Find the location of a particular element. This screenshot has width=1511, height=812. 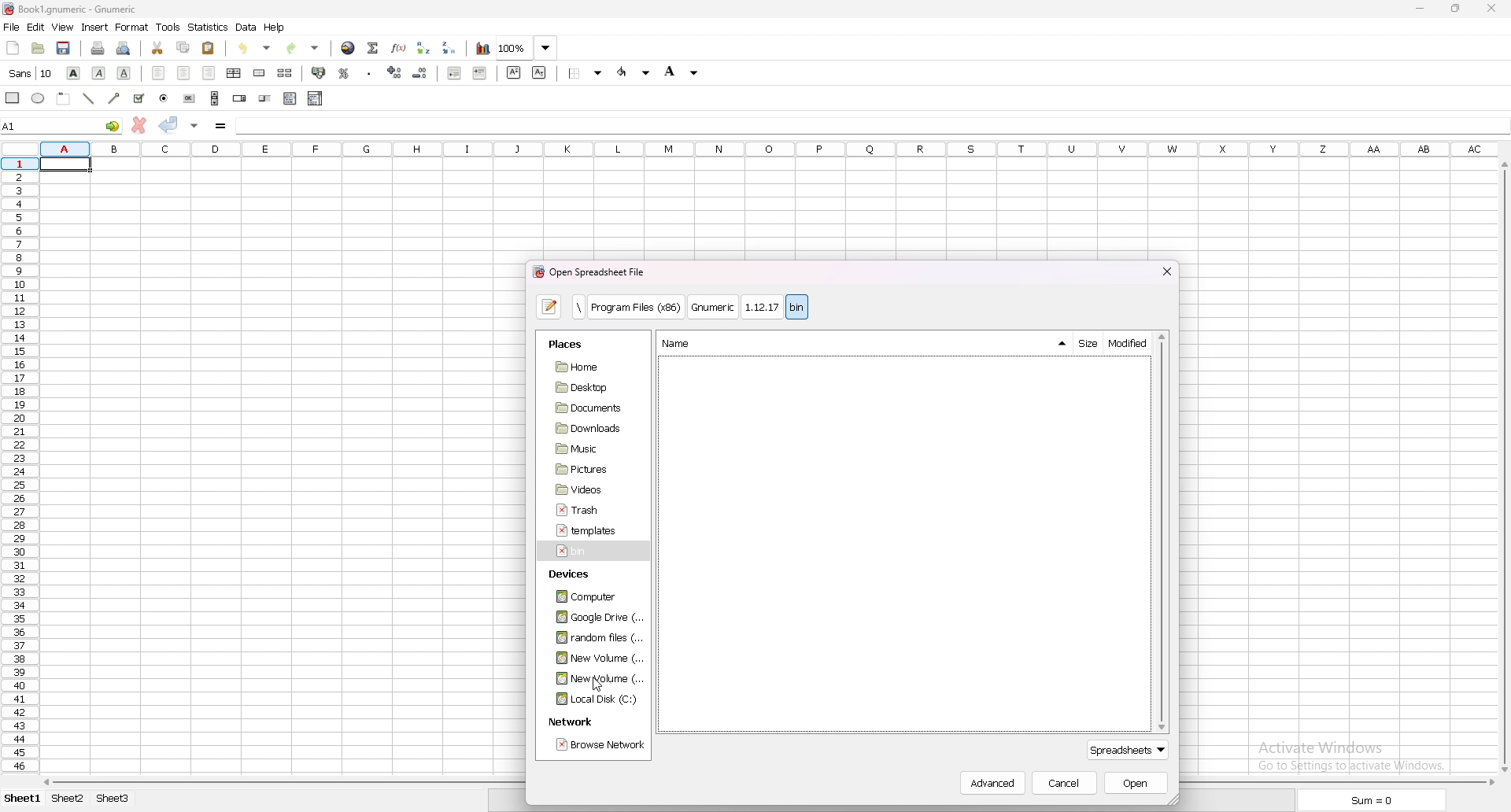

chart is located at coordinates (482, 50).